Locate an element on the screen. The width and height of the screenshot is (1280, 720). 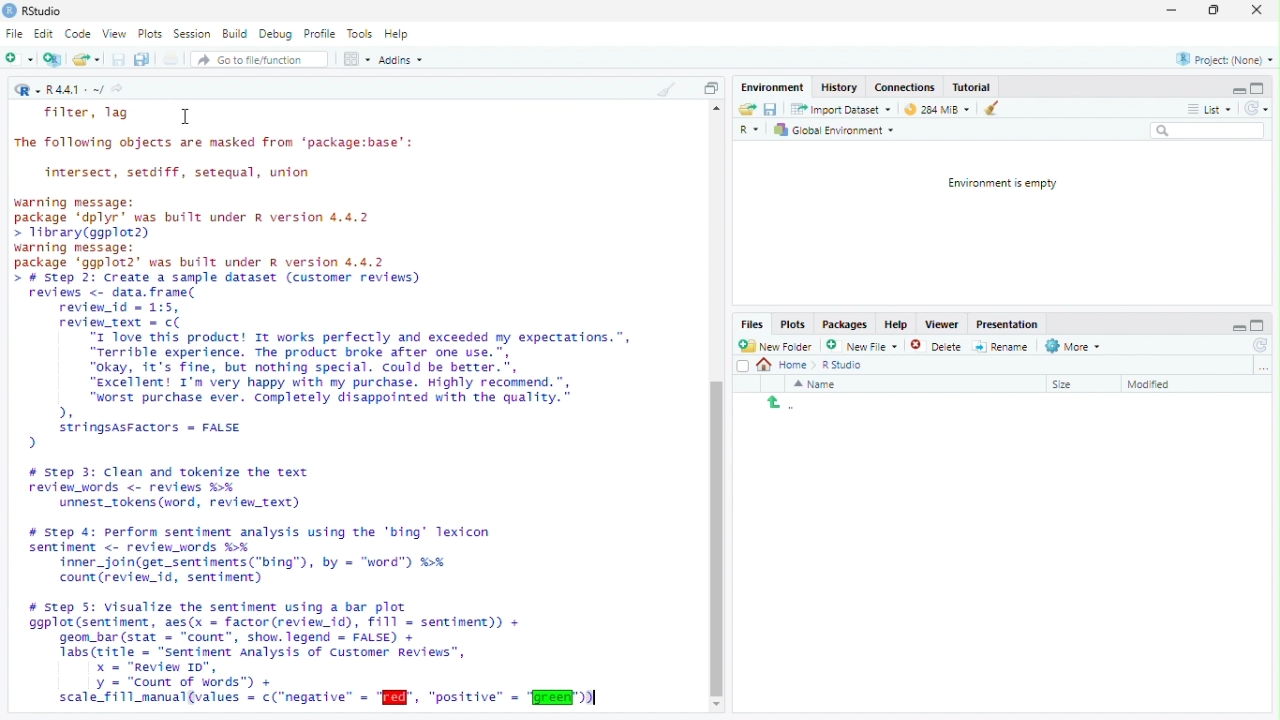
Refresh  is located at coordinates (1256, 108).